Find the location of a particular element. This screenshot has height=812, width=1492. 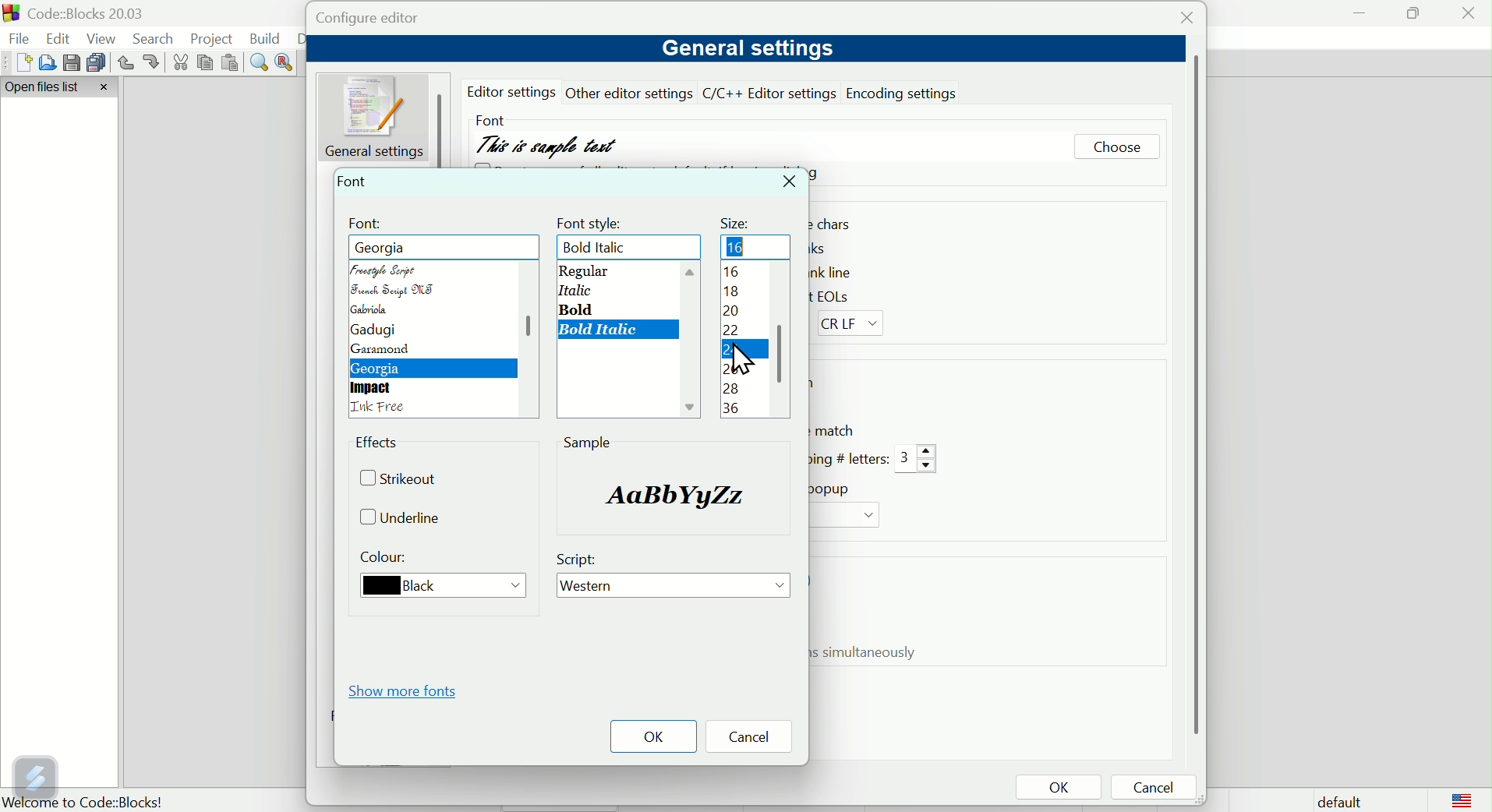

Find is located at coordinates (260, 63).